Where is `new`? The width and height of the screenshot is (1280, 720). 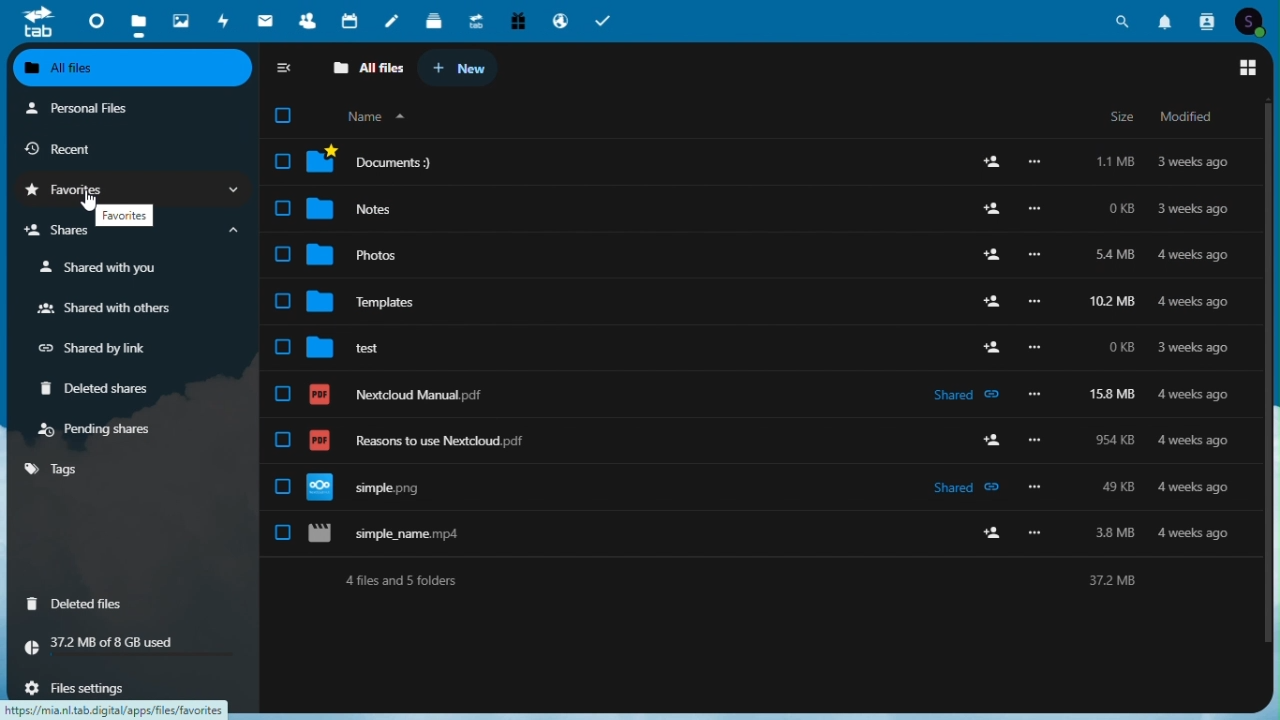 new is located at coordinates (459, 69).